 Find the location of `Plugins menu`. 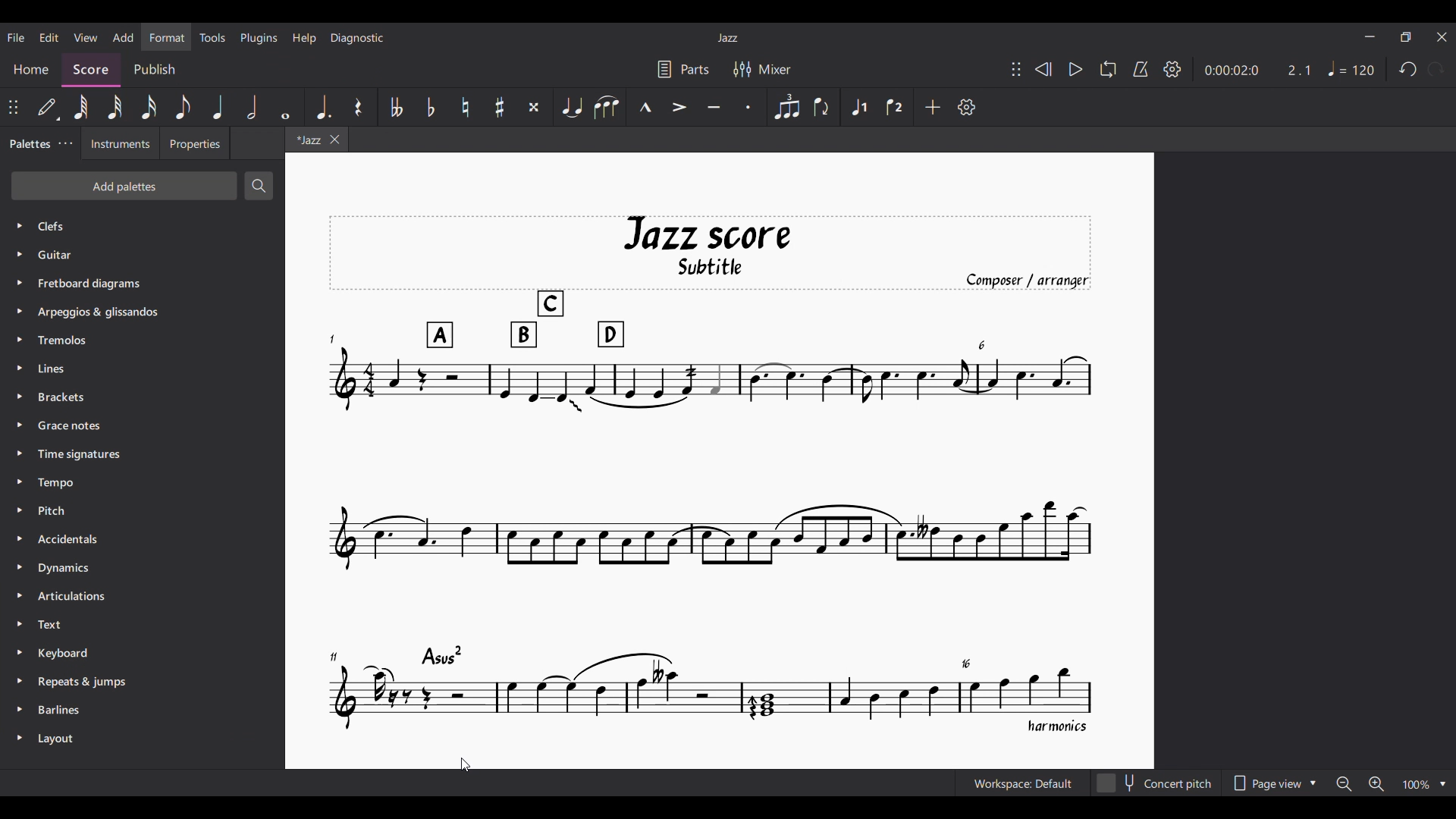

Plugins menu is located at coordinates (259, 38).